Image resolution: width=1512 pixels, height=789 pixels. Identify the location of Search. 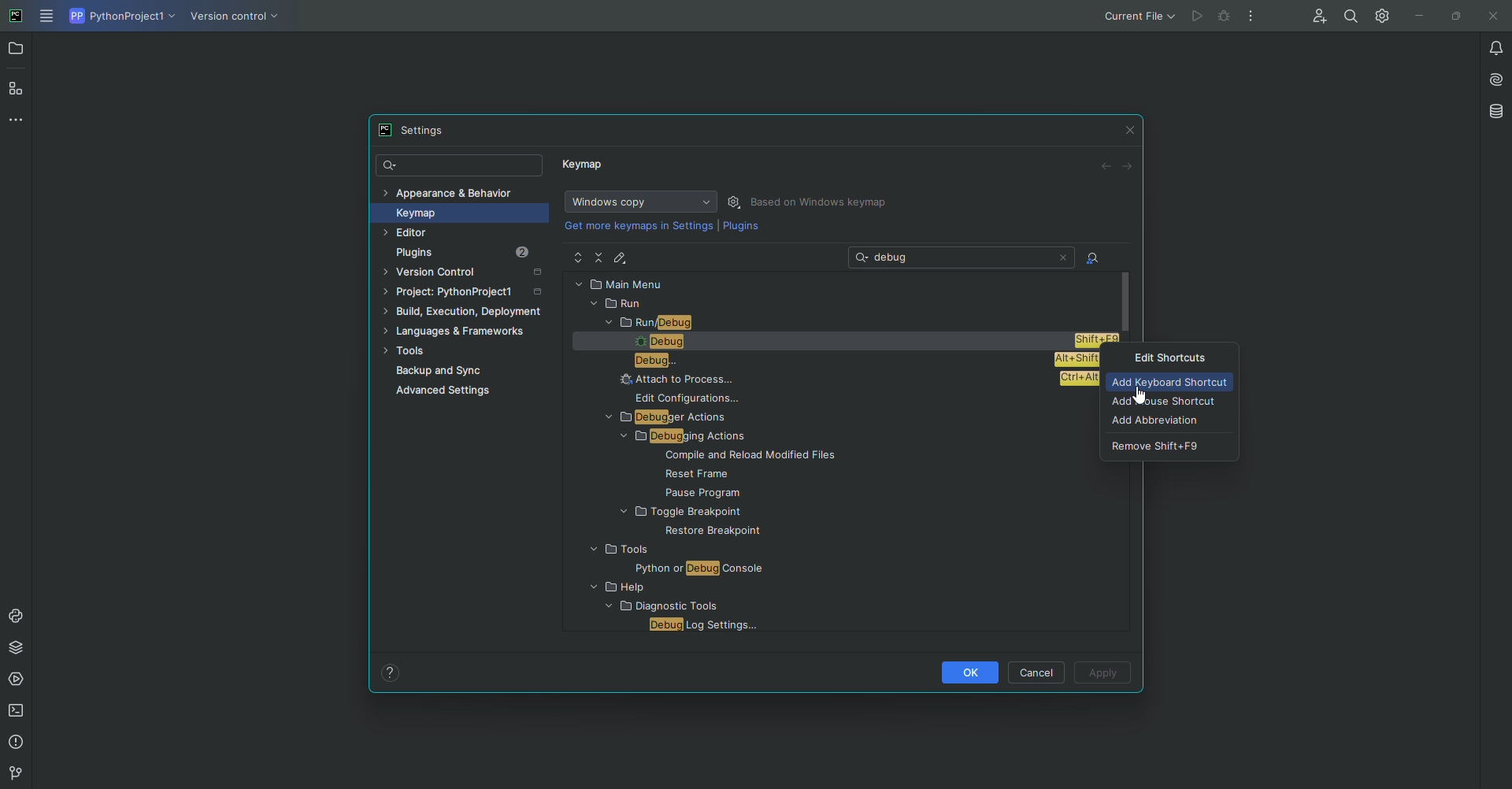
(461, 166).